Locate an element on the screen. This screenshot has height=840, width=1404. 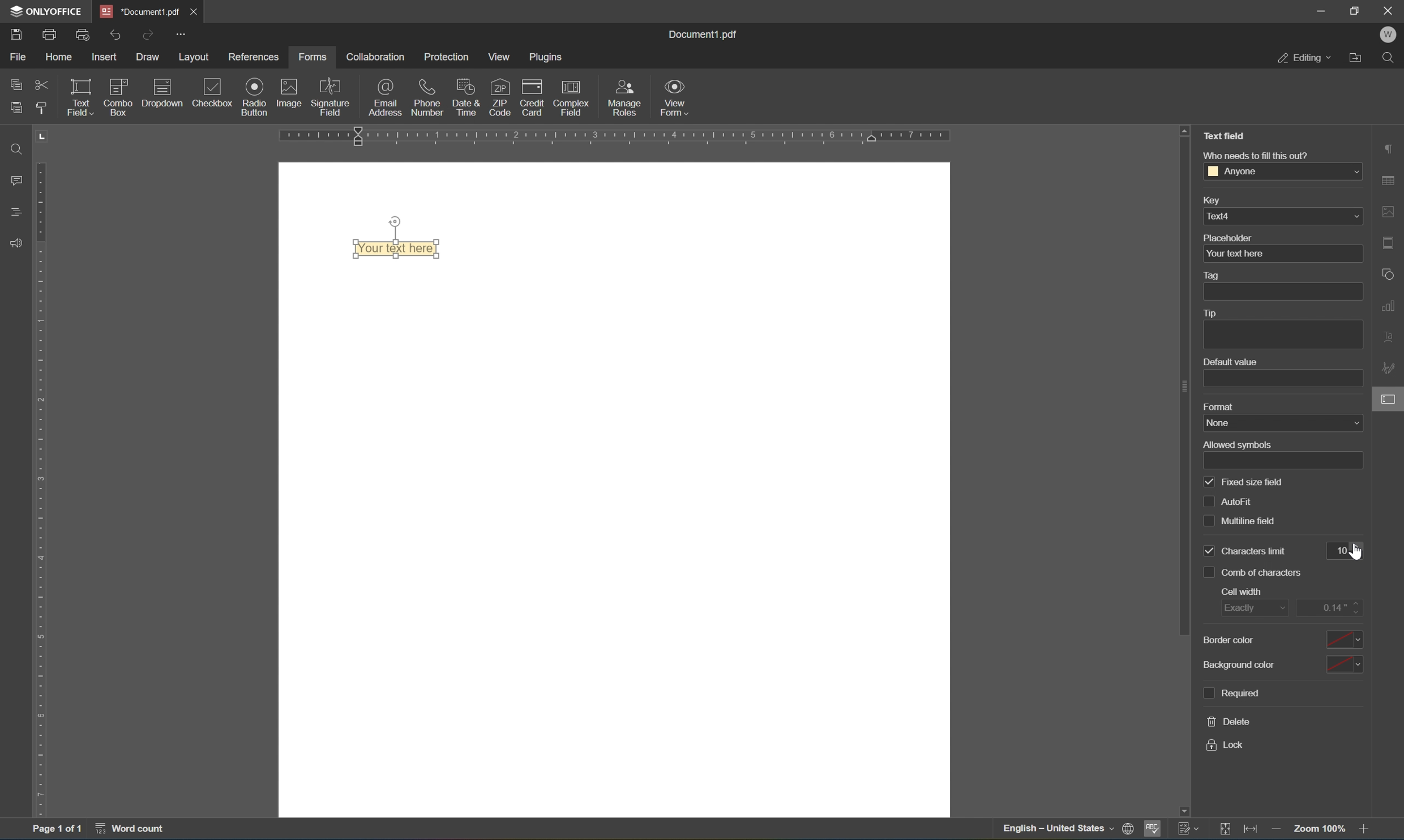
background color is located at coordinates (1281, 664).